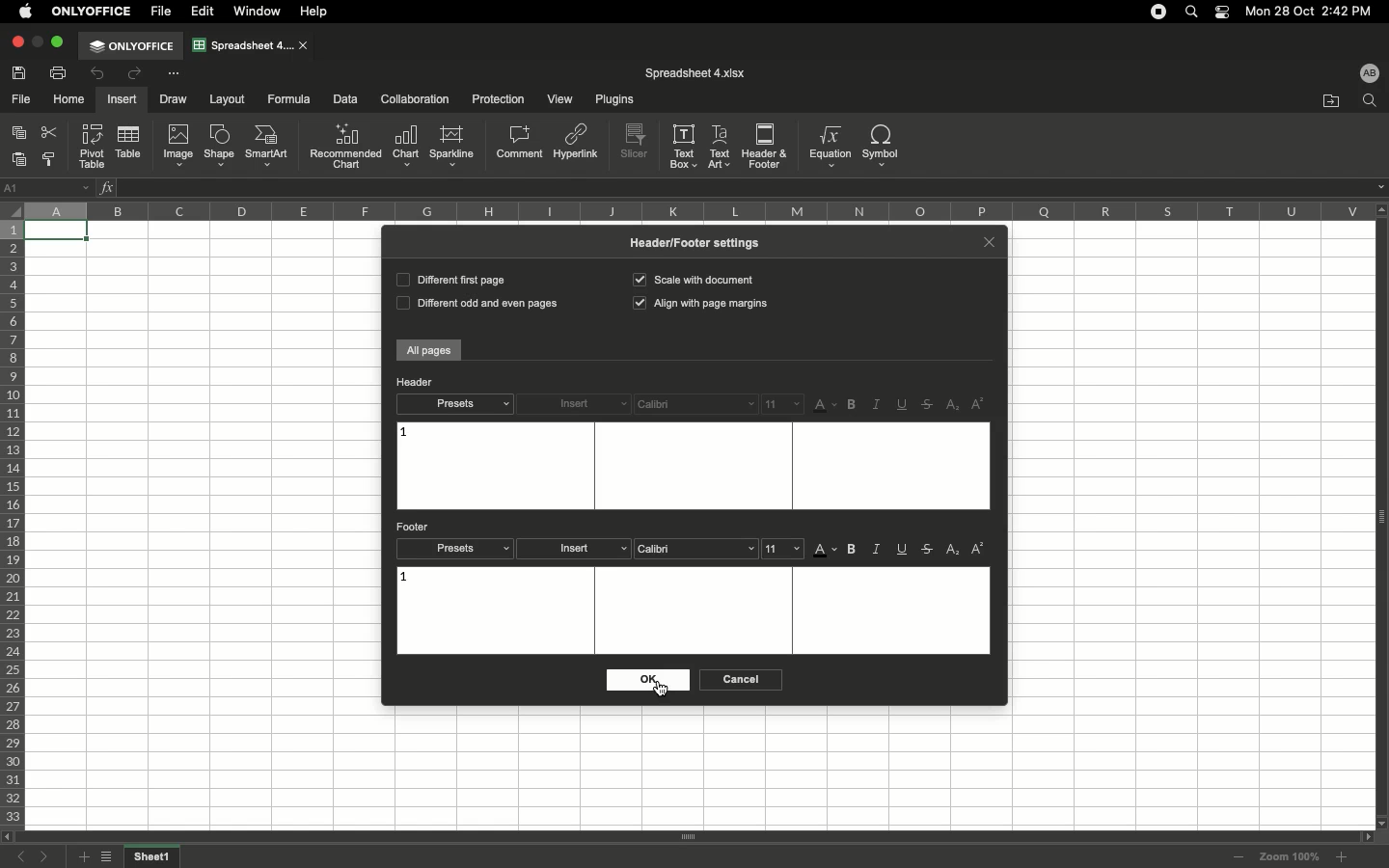  I want to click on Pivot table, so click(94, 146).